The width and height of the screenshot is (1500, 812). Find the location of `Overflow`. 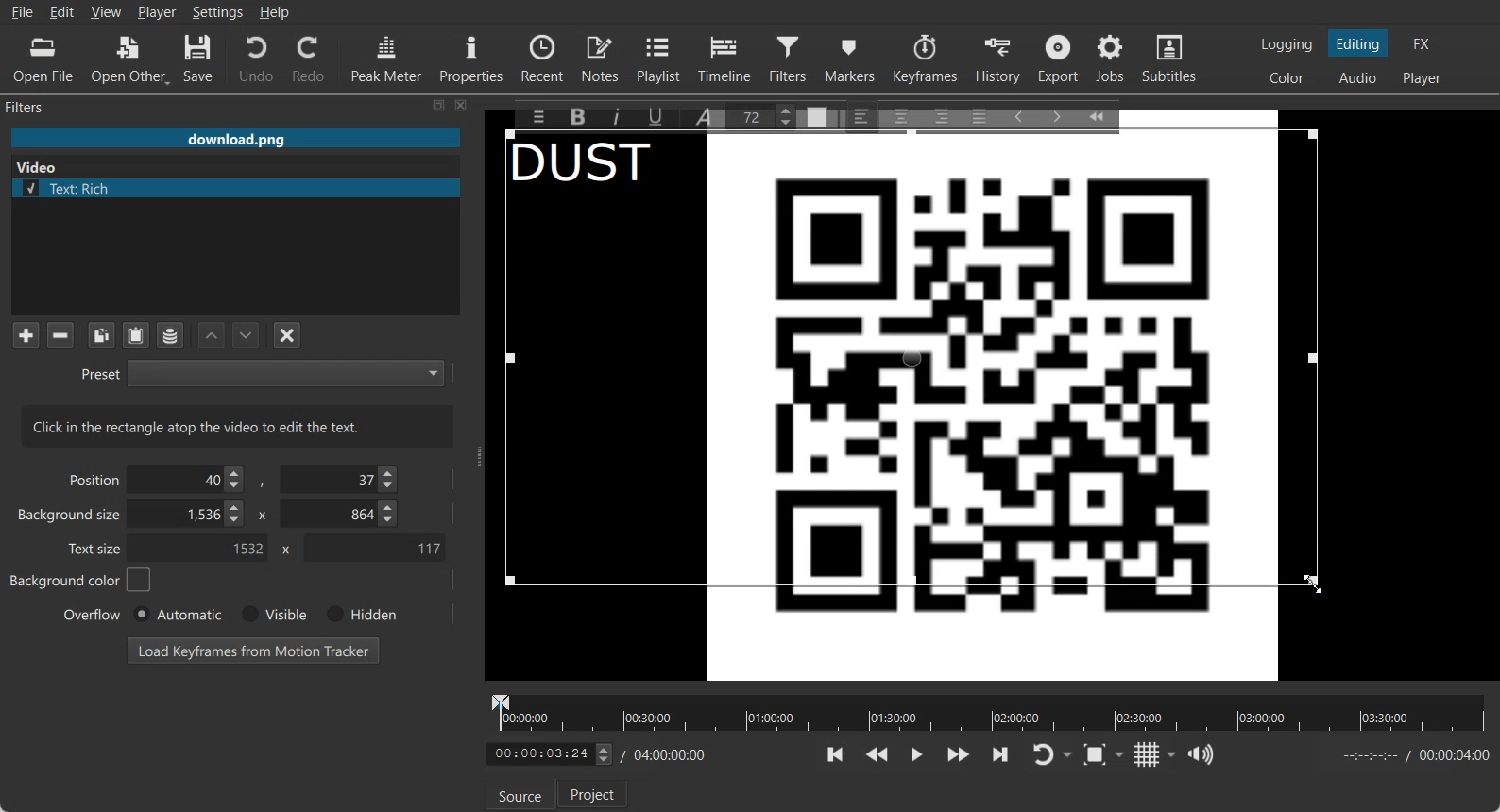

Overflow is located at coordinates (93, 614).